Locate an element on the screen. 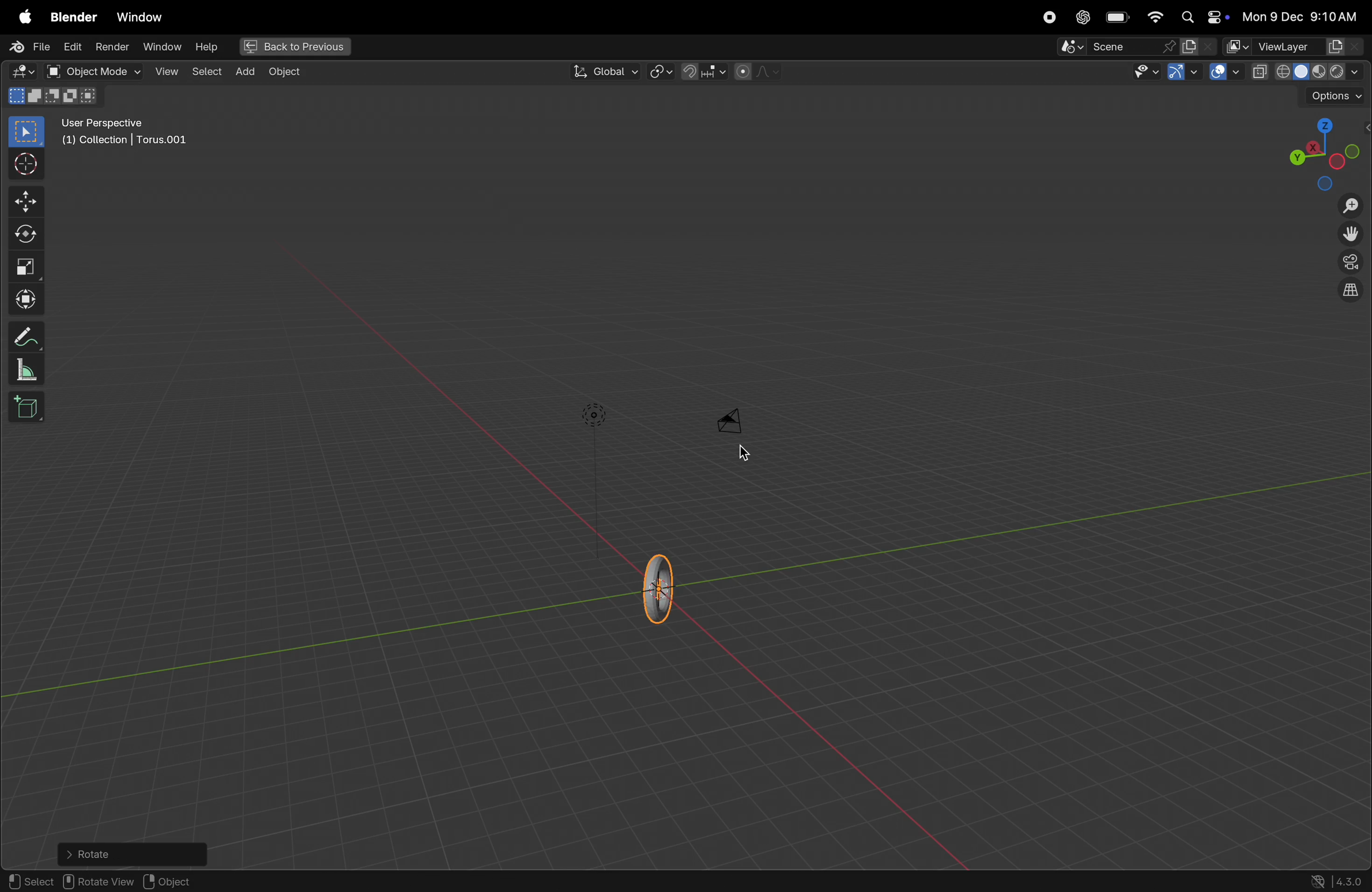 The width and height of the screenshot is (1372, 892). options is located at coordinates (1335, 97).